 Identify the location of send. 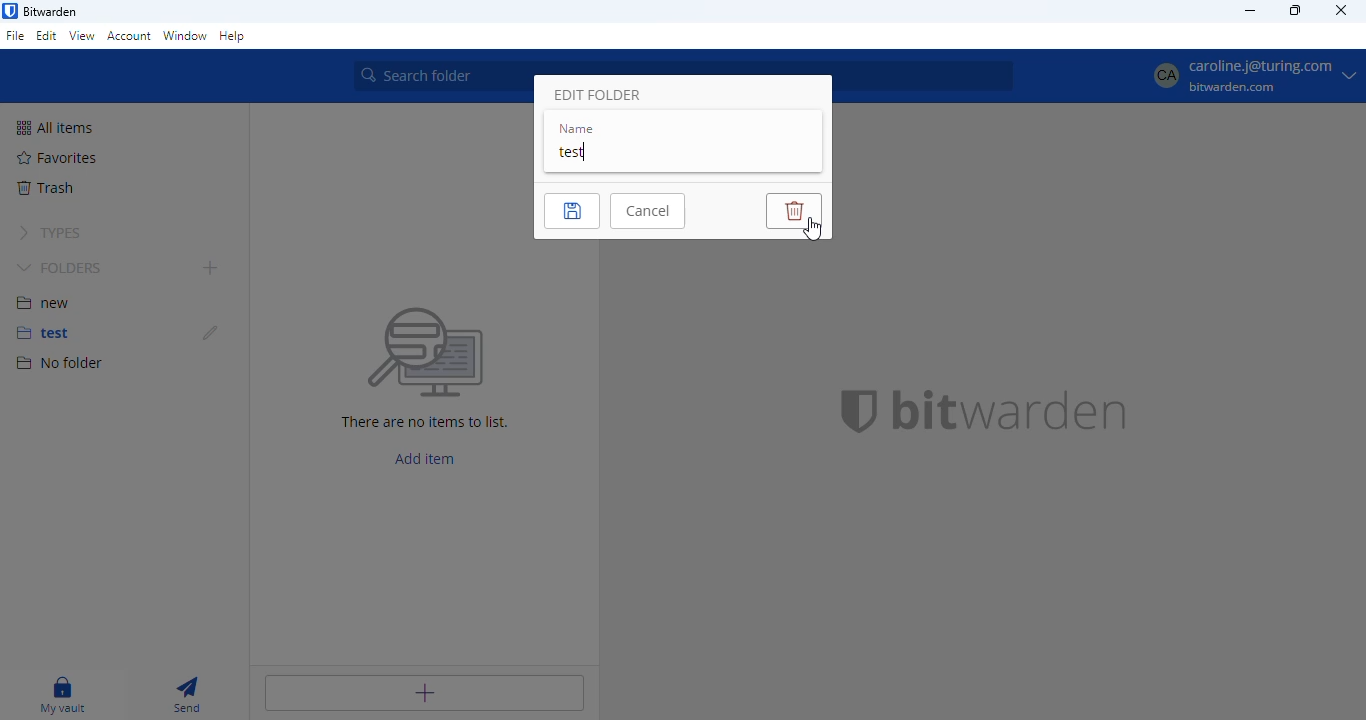
(189, 695).